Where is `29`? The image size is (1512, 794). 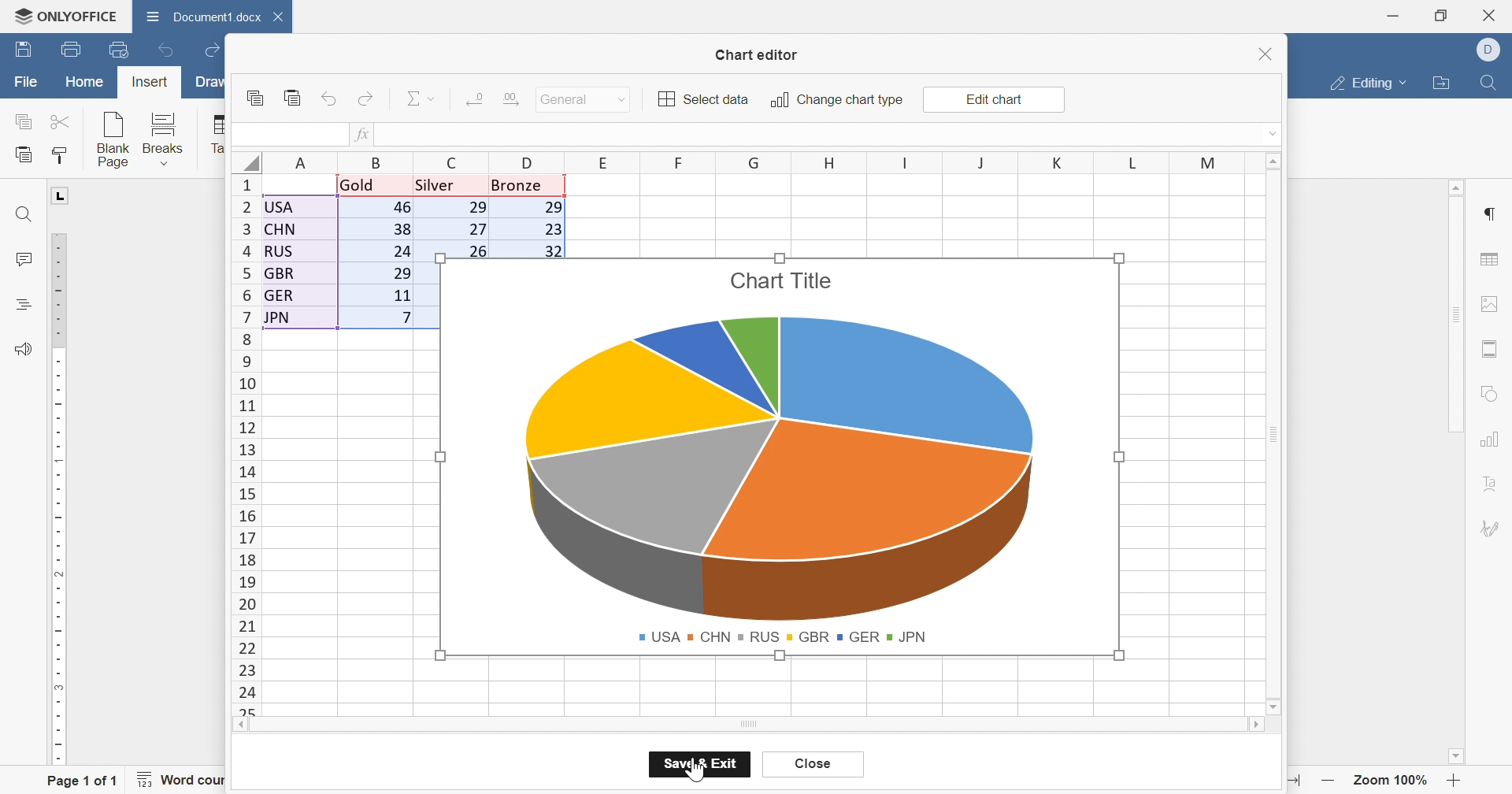 29 is located at coordinates (480, 208).